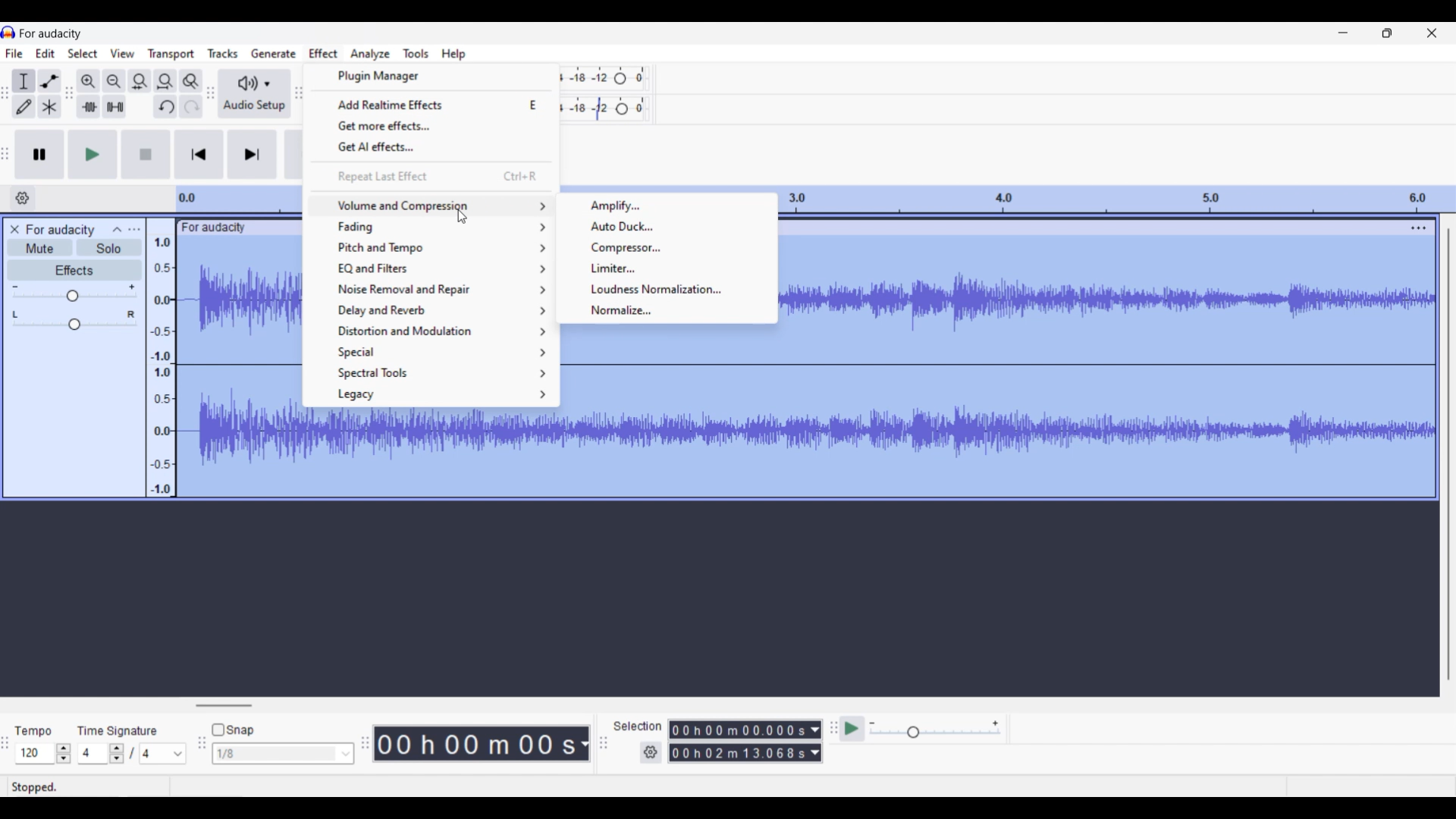 This screenshot has width=1456, height=819. What do you see at coordinates (433, 126) in the screenshot?
I see `Get more effects` at bounding box center [433, 126].